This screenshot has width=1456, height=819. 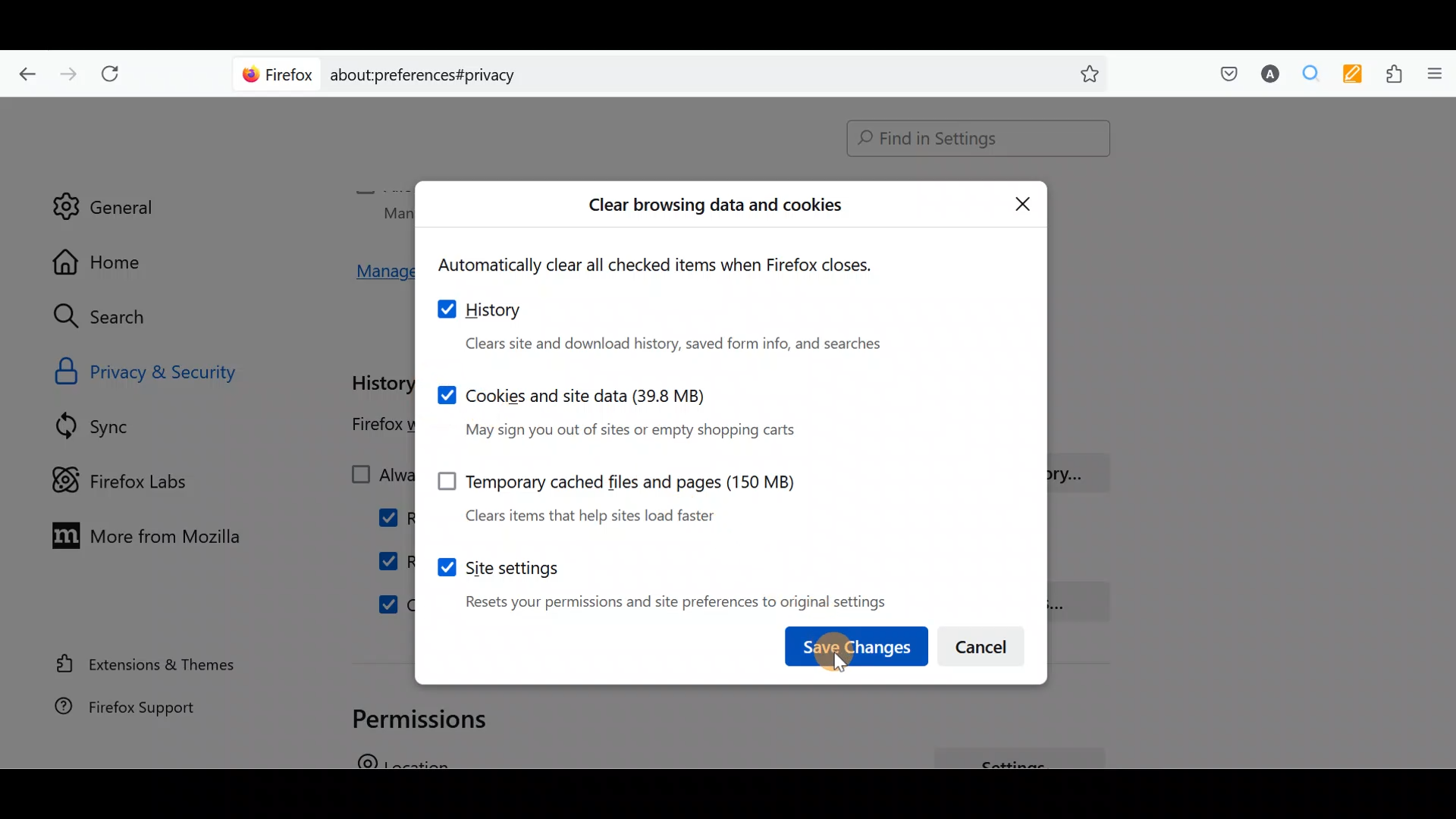 What do you see at coordinates (104, 196) in the screenshot?
I see `General` at bounding box center [104, 196].